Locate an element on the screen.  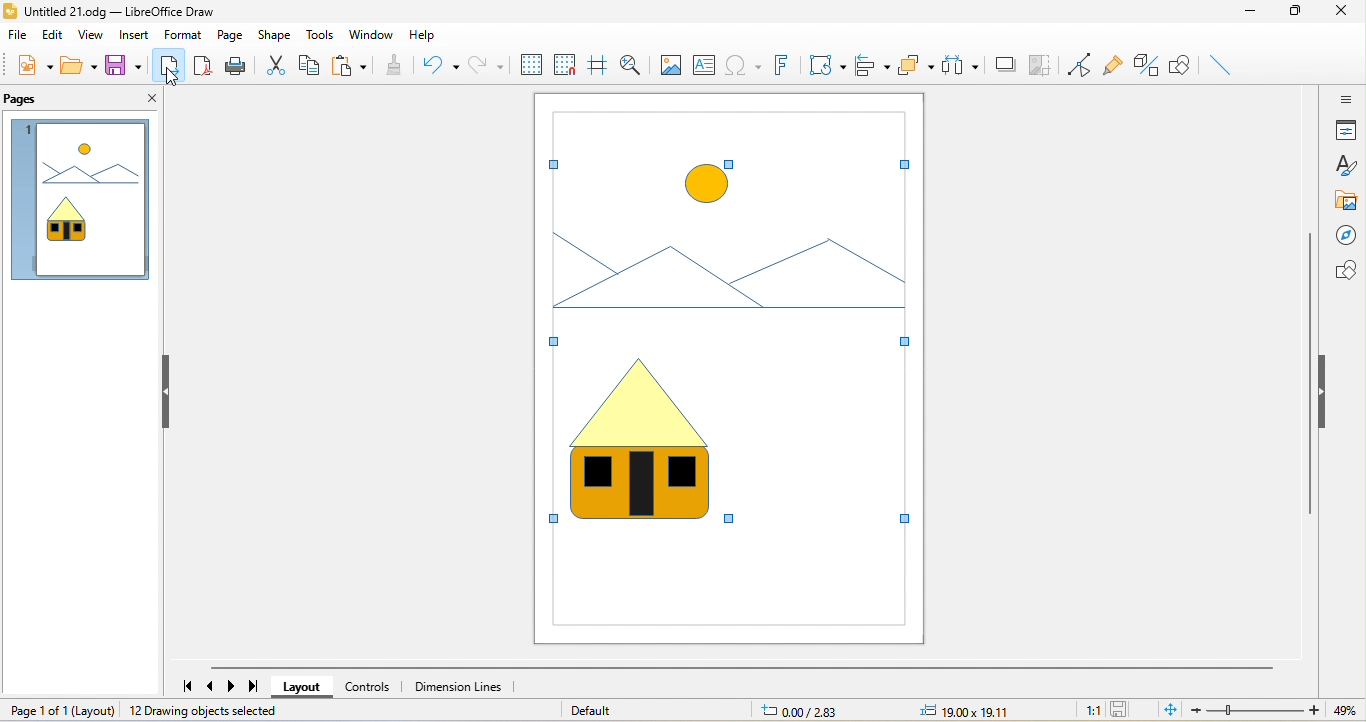
Cursor is located at coordinates (172, 79).